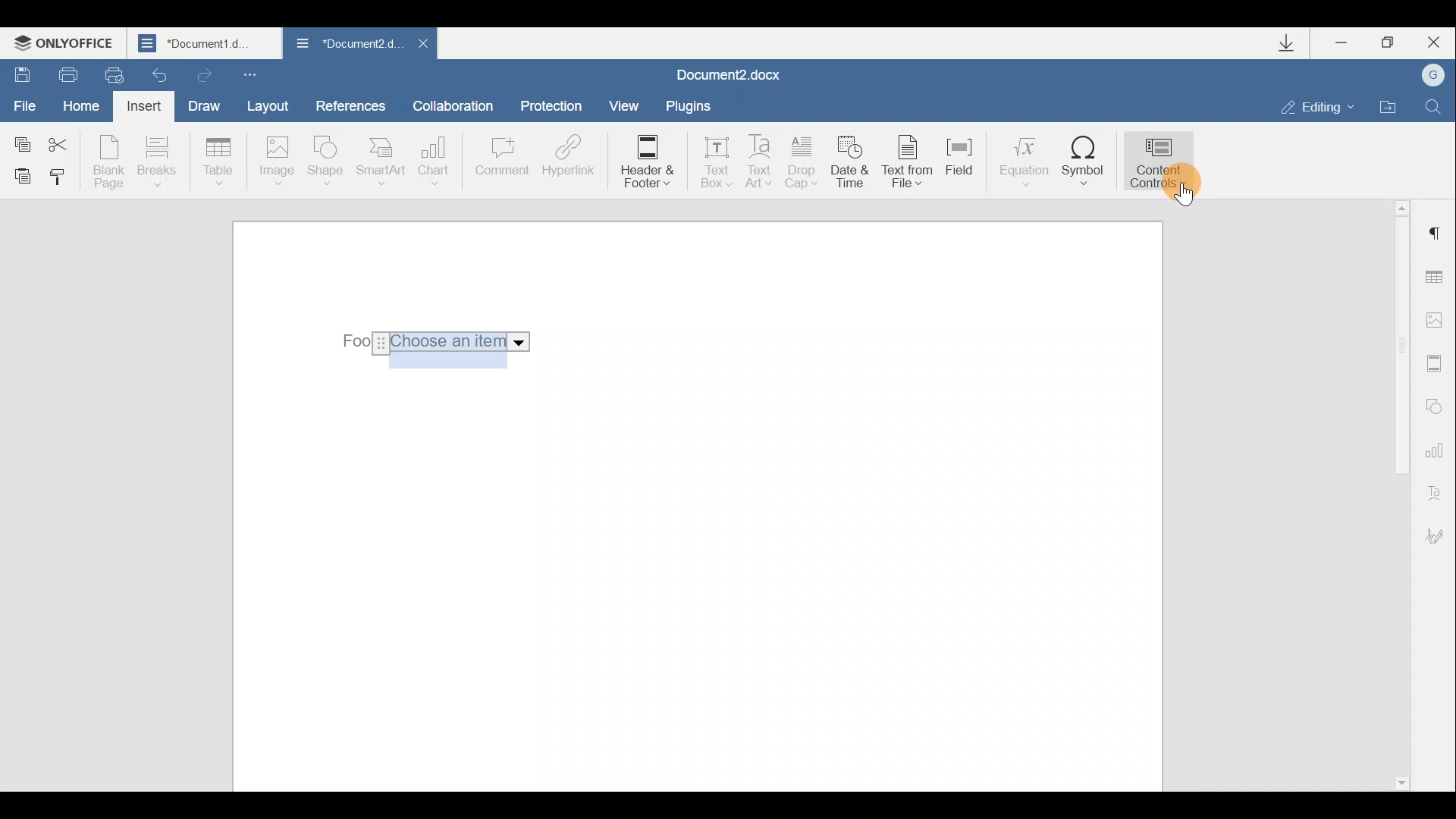 The width and height of the screenshot is (1456, 819). What do you see at coordinates (1438, 320) in the screenshot?
I see `Image settings` at bounding box center [1438, 320].